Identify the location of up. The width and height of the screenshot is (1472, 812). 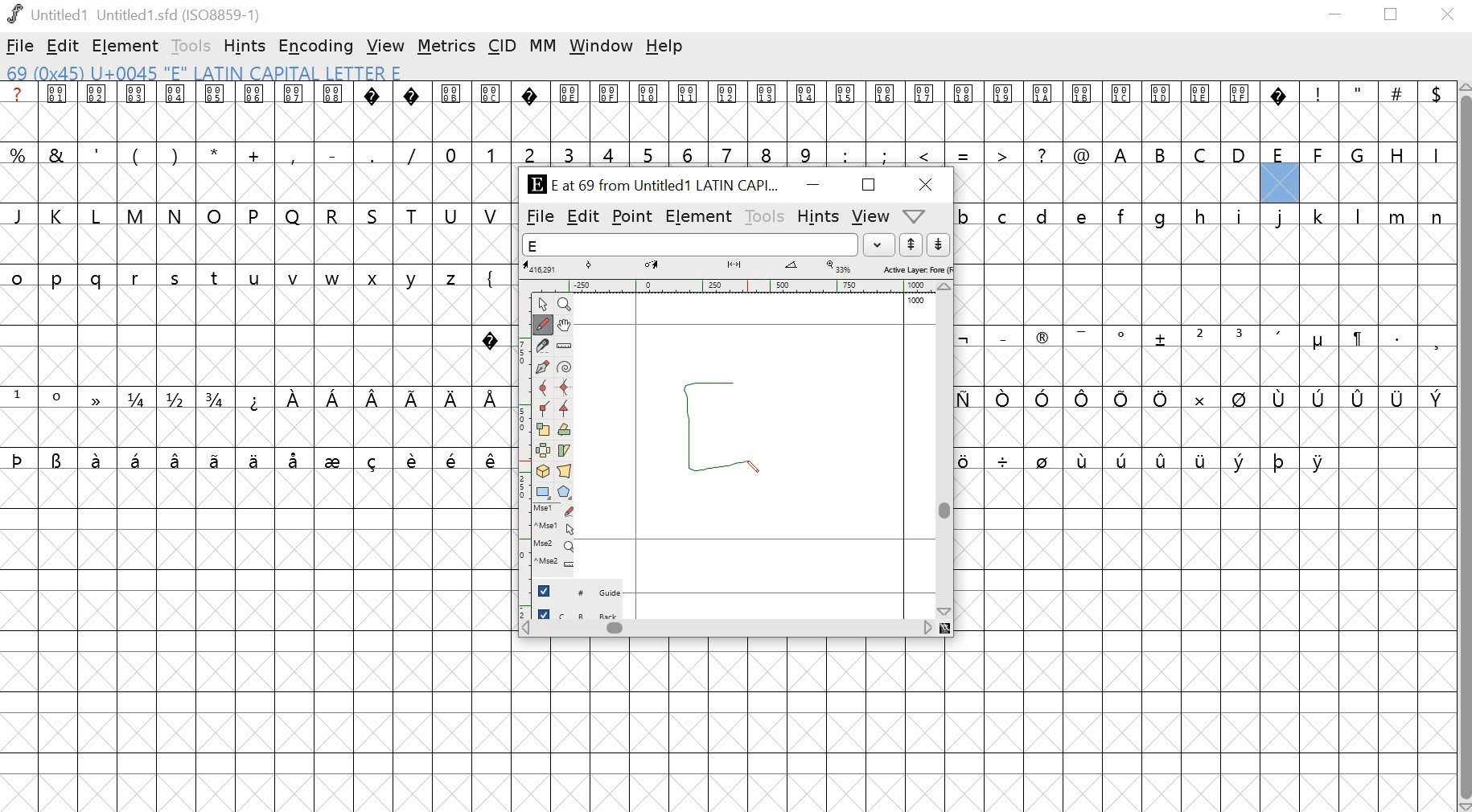
(911, 244).